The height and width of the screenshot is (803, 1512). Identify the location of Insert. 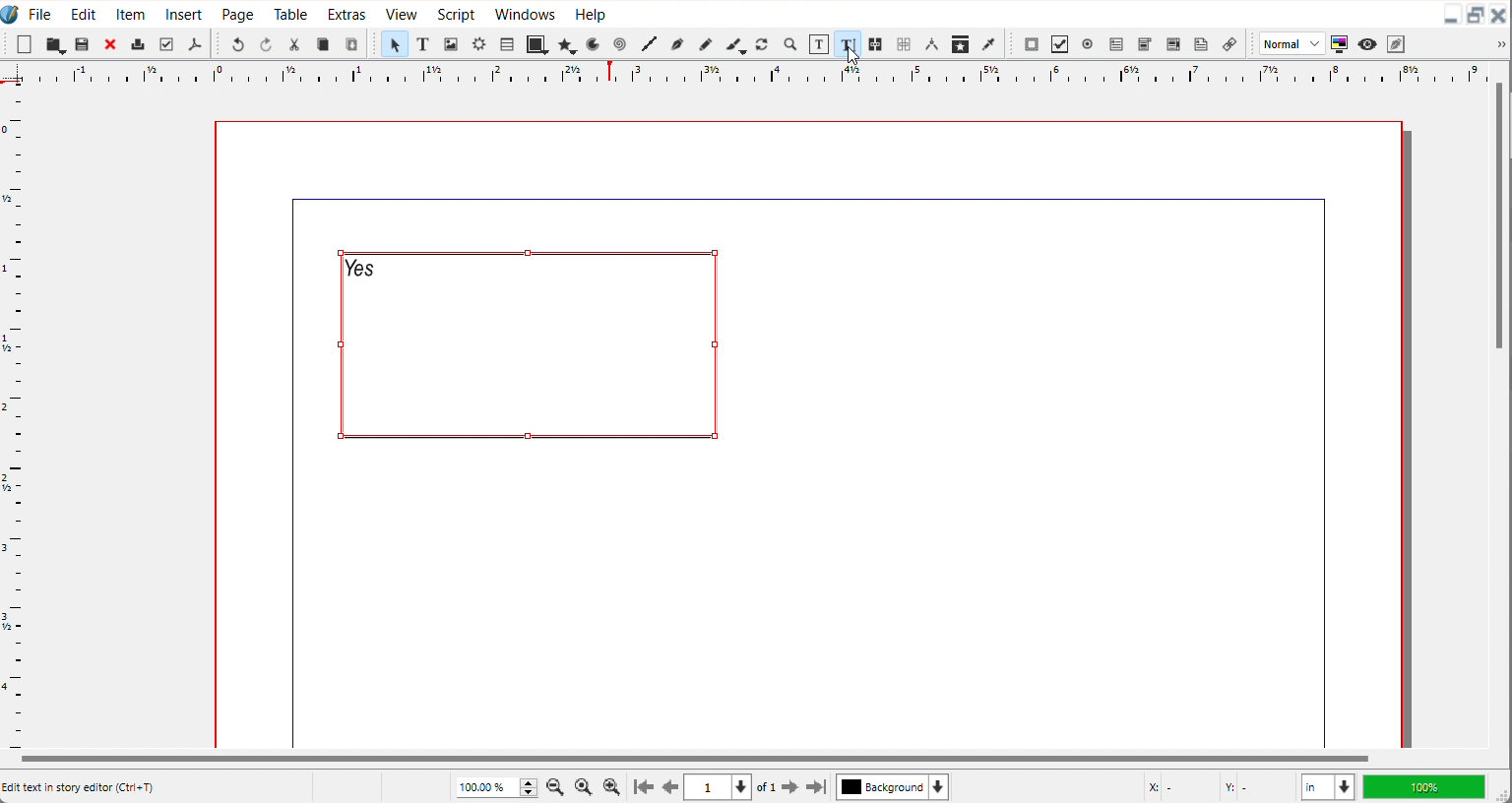
(185, 13).